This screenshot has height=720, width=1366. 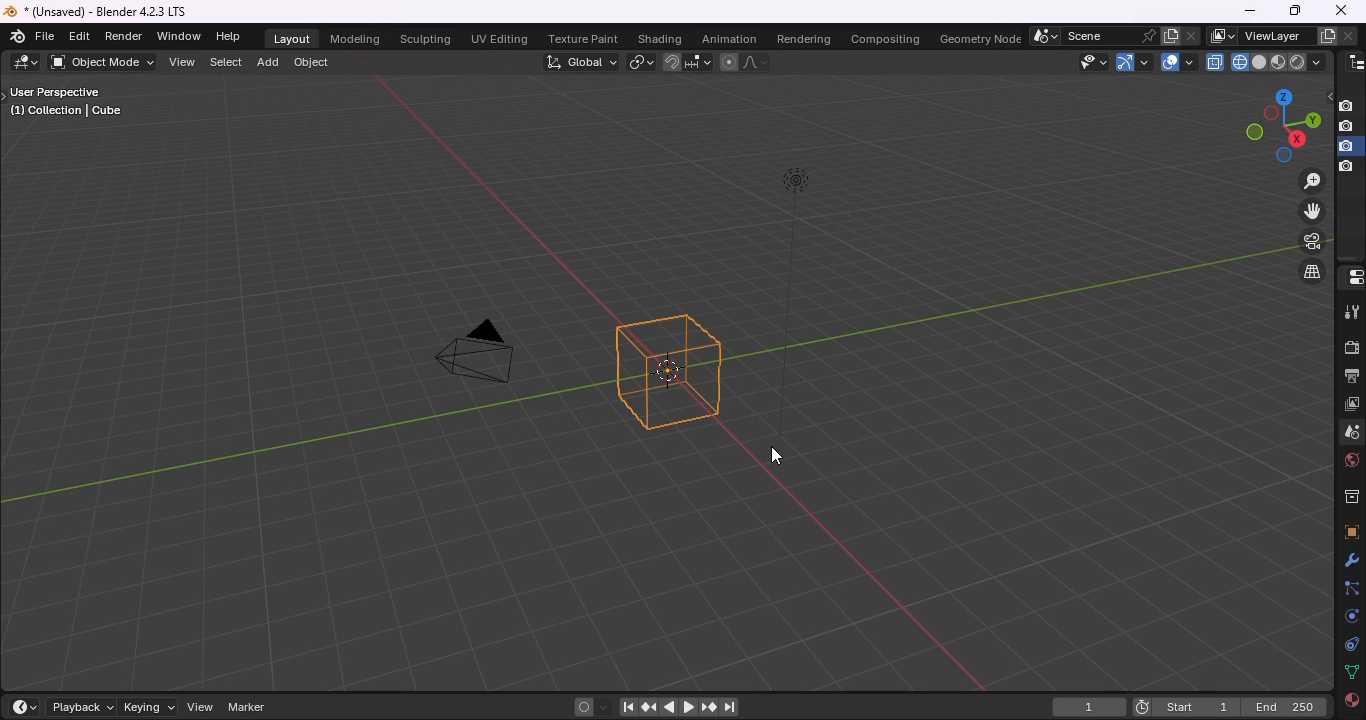 I want to click on Full screen, so click(x=1351, y=531).